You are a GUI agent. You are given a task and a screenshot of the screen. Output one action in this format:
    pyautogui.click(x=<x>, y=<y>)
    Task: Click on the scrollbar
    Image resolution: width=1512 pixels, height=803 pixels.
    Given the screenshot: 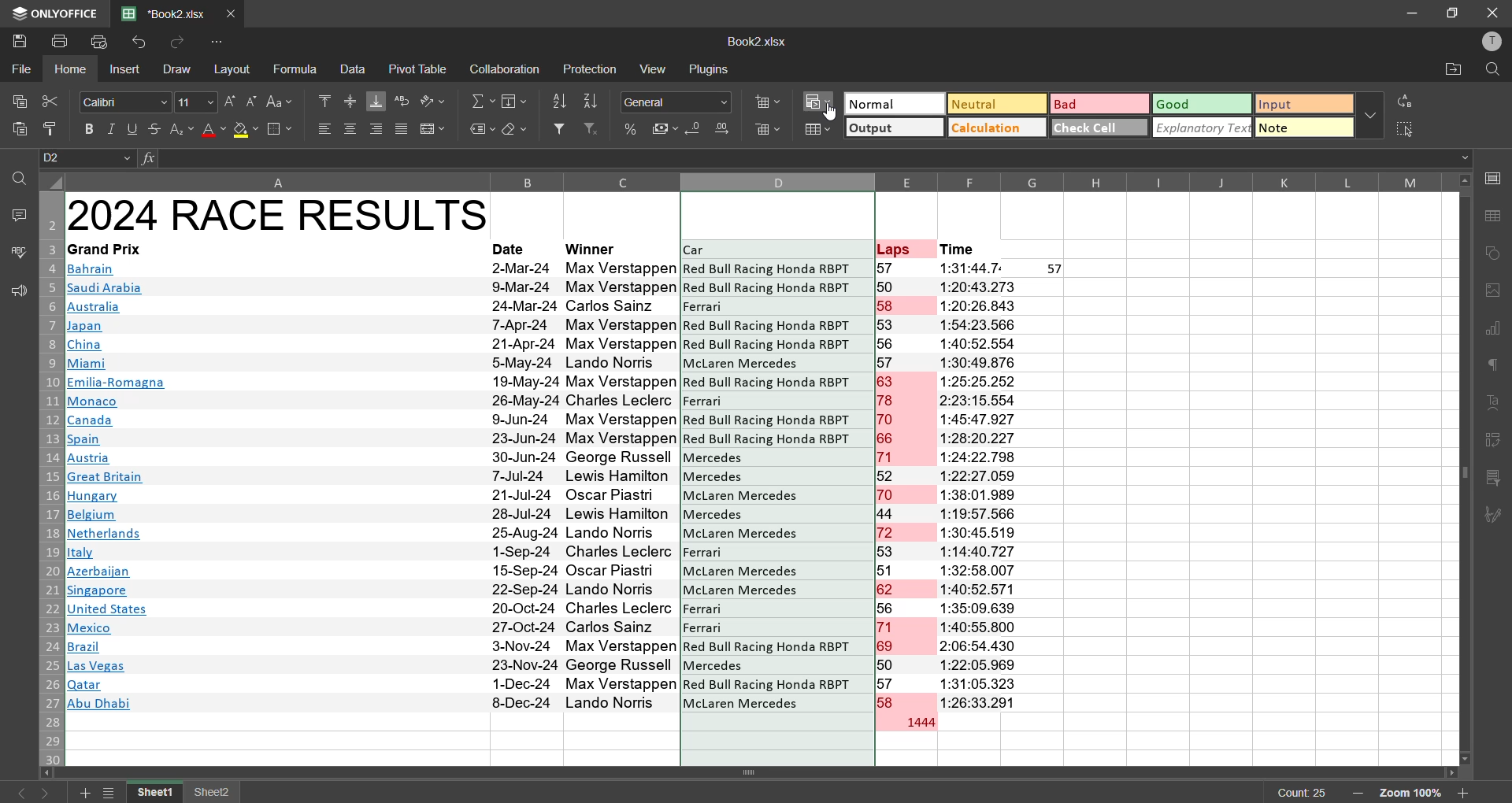 What is the action you would take?
    pyautogui.click(x=1464, y=469)
    